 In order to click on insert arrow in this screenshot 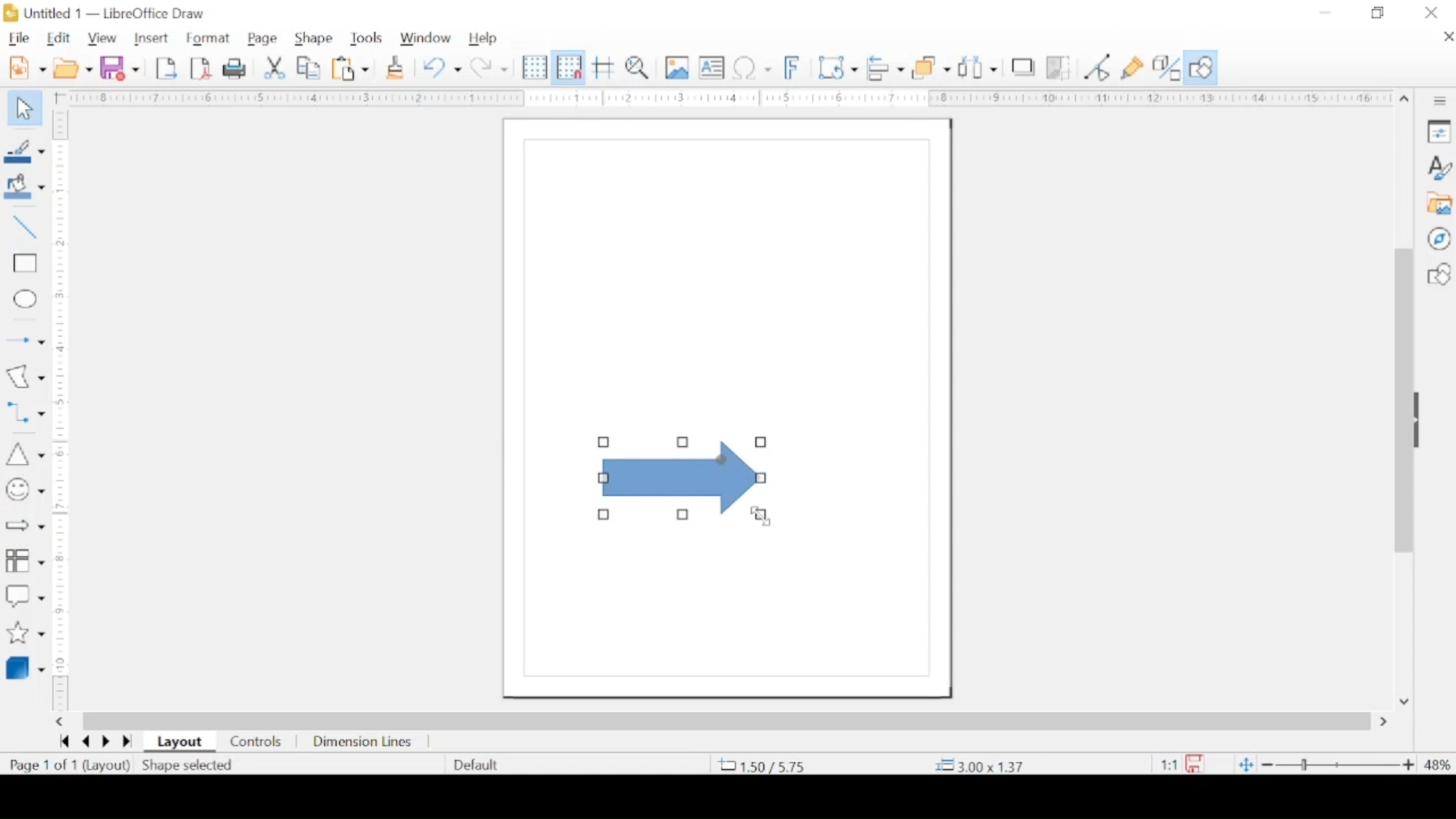, I will do `click(24, 340)`.